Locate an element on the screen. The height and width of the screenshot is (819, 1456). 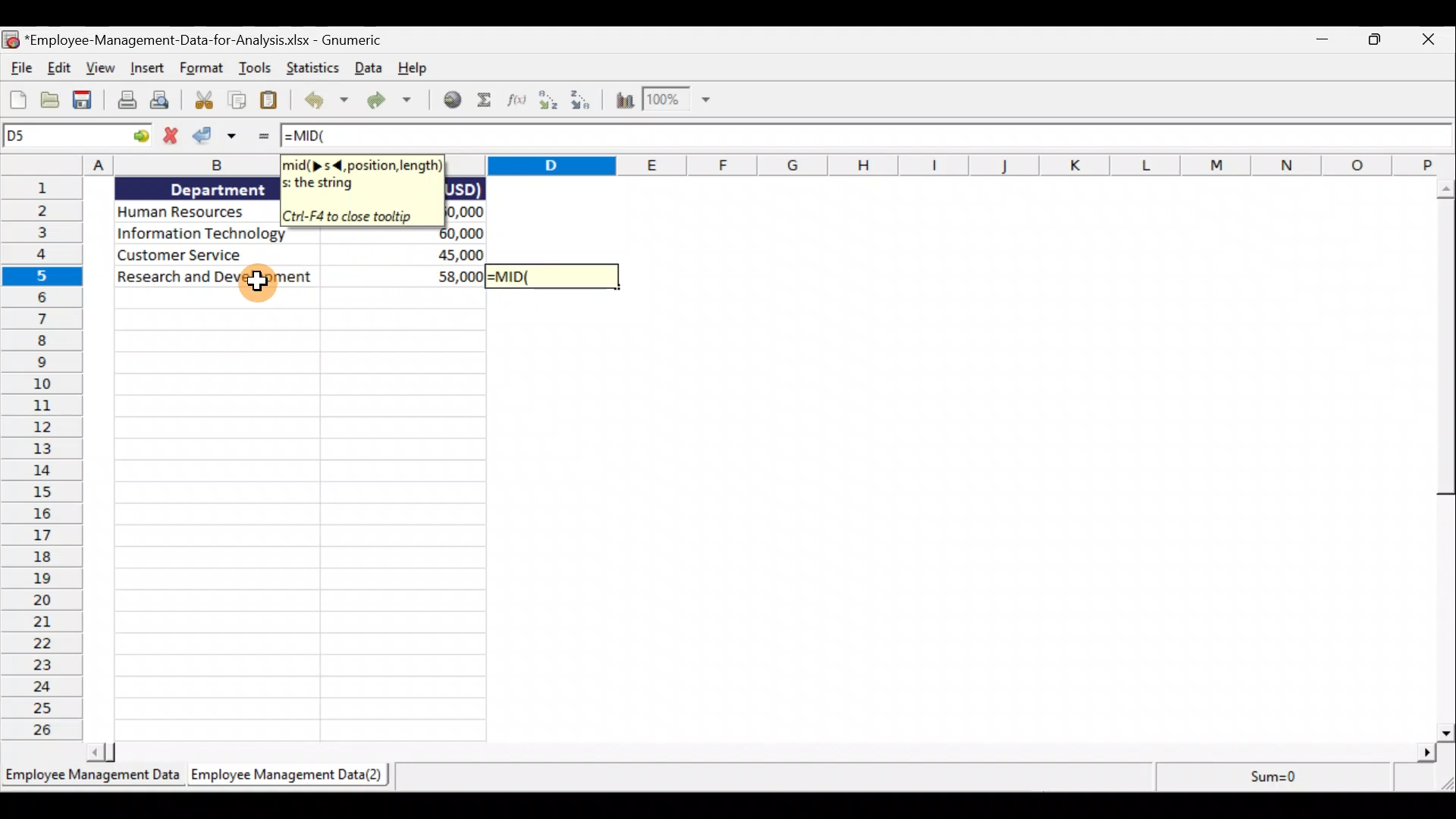
Accept change is located at coordinates (215, 137).